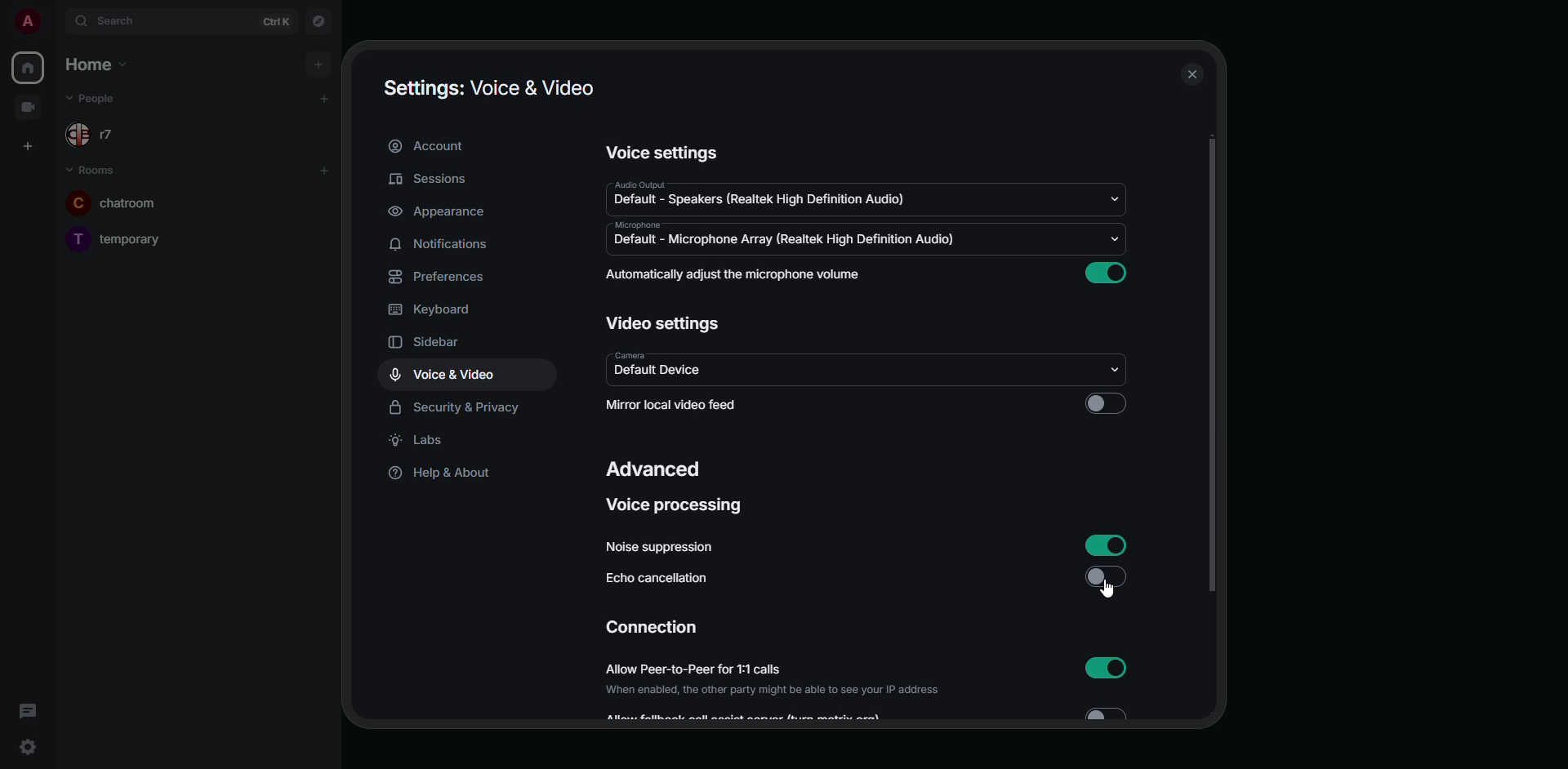 Image resolution: width=1568 pixels, height=769 pixels. Describe the element at coordinates (1193, 74) in the screenshot. I see `close` at that location.